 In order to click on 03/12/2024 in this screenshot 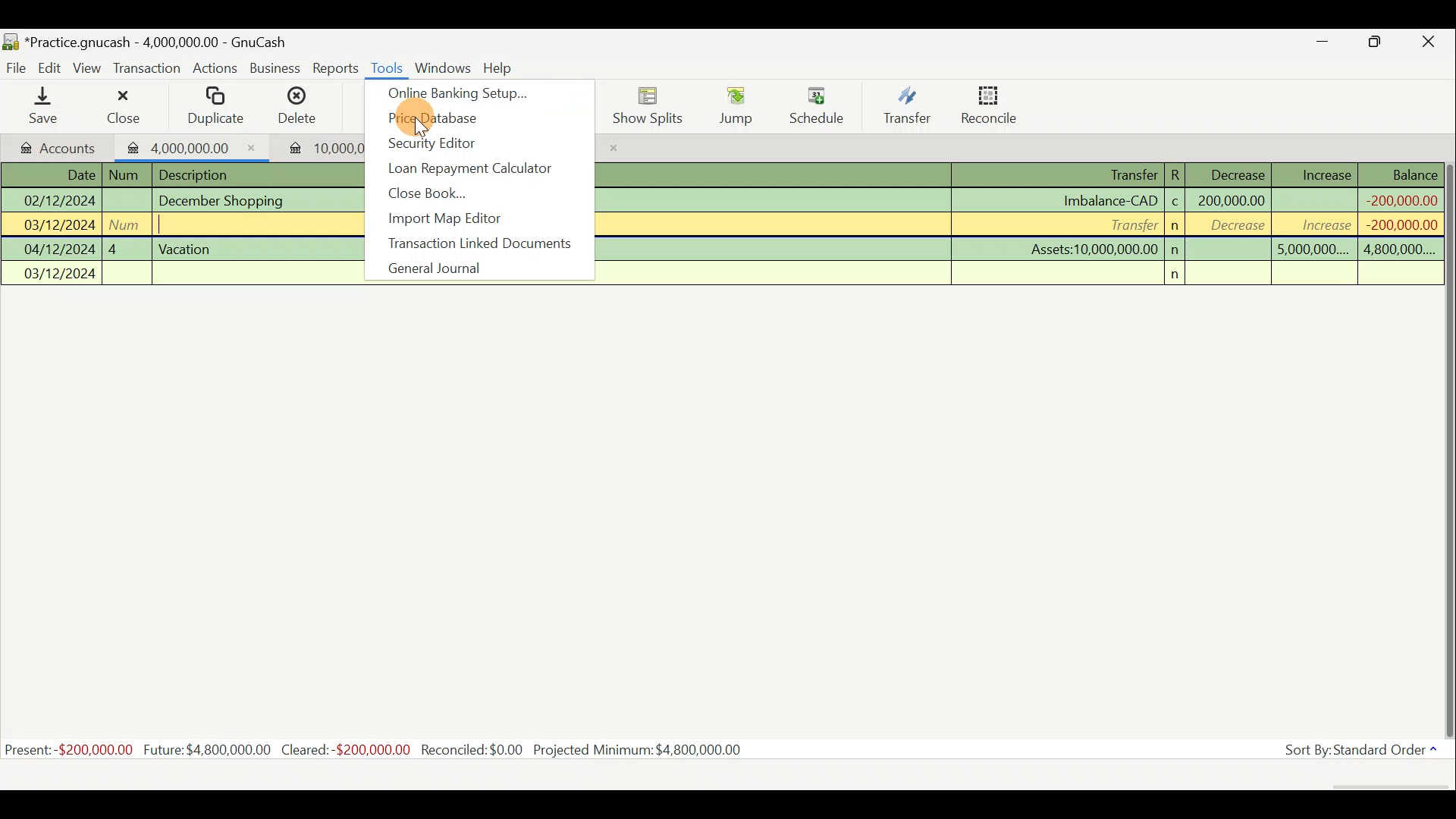, I will do `click(61, 275)`.